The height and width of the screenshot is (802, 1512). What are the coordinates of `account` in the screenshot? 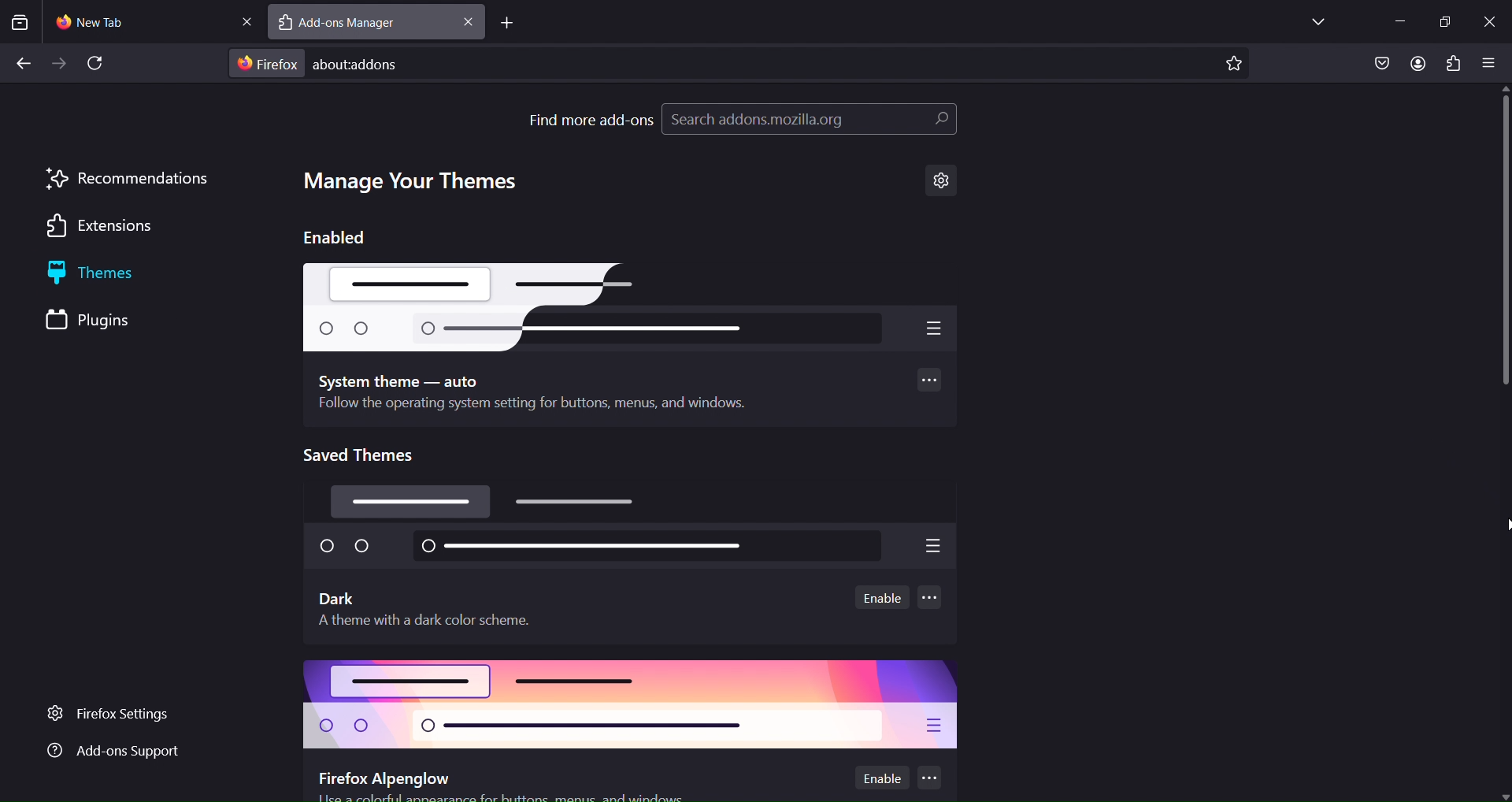 It's located at (1417, 65).